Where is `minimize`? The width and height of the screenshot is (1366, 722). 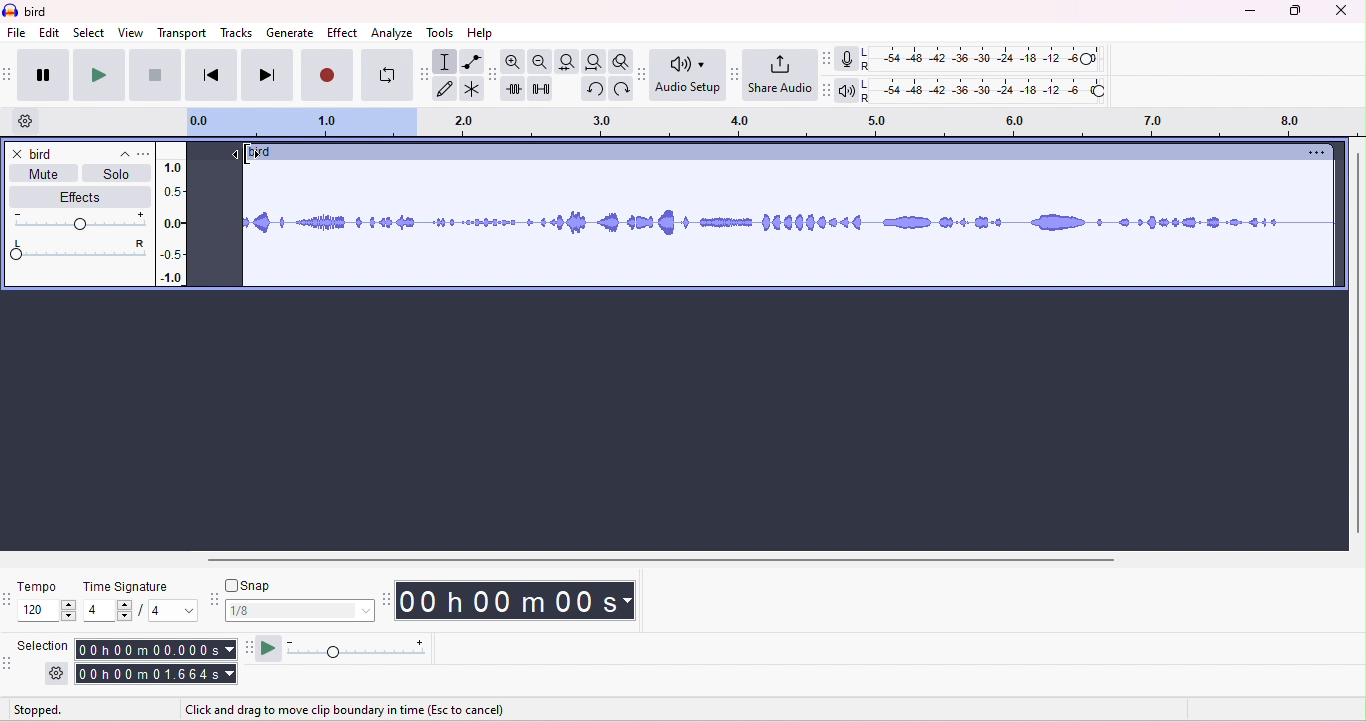
minimize is located at coordinates (1247, 12).